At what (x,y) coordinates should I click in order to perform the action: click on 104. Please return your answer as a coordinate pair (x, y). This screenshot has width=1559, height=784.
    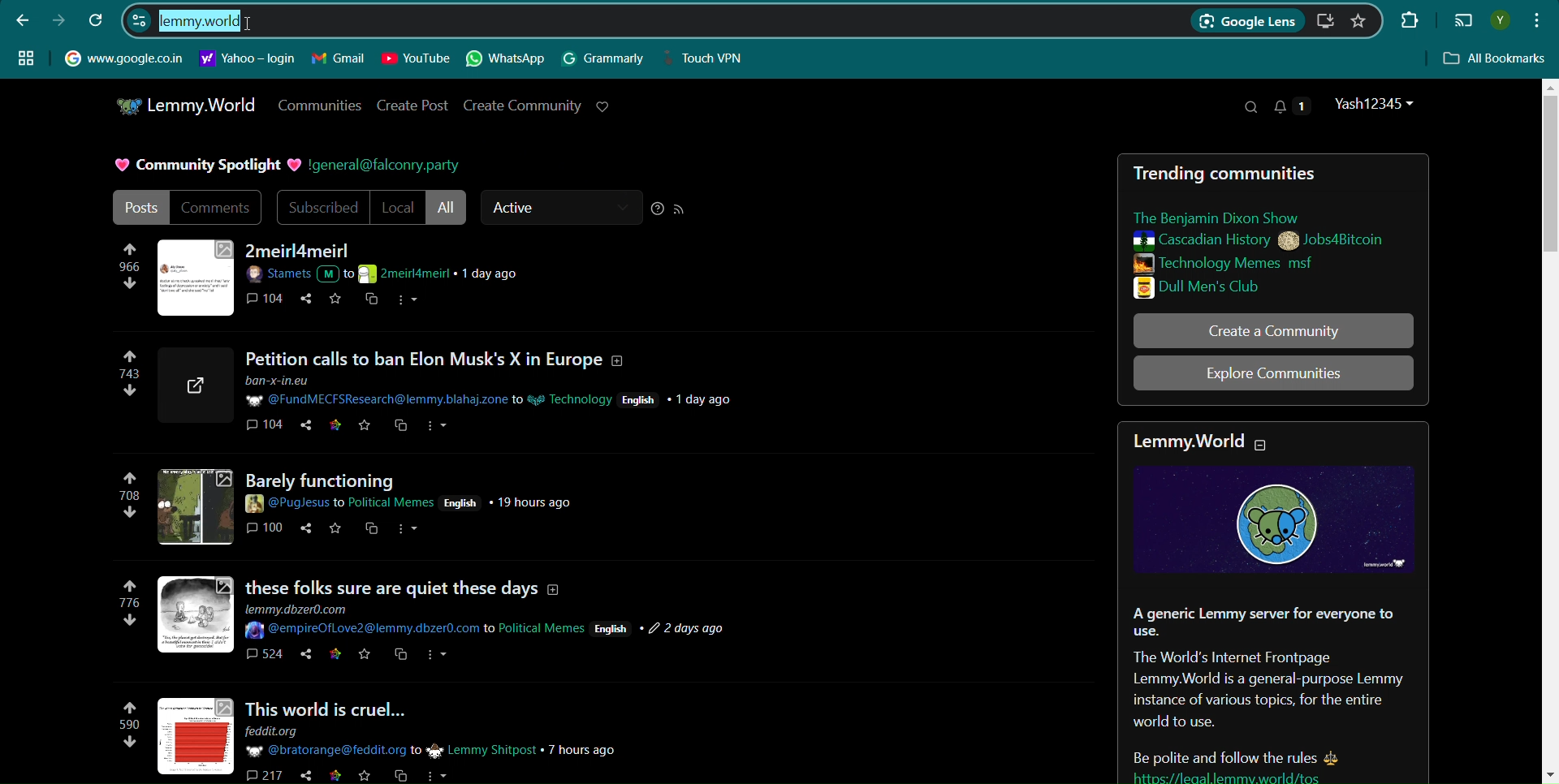
    Looking at the image, I should click on (267, 300).